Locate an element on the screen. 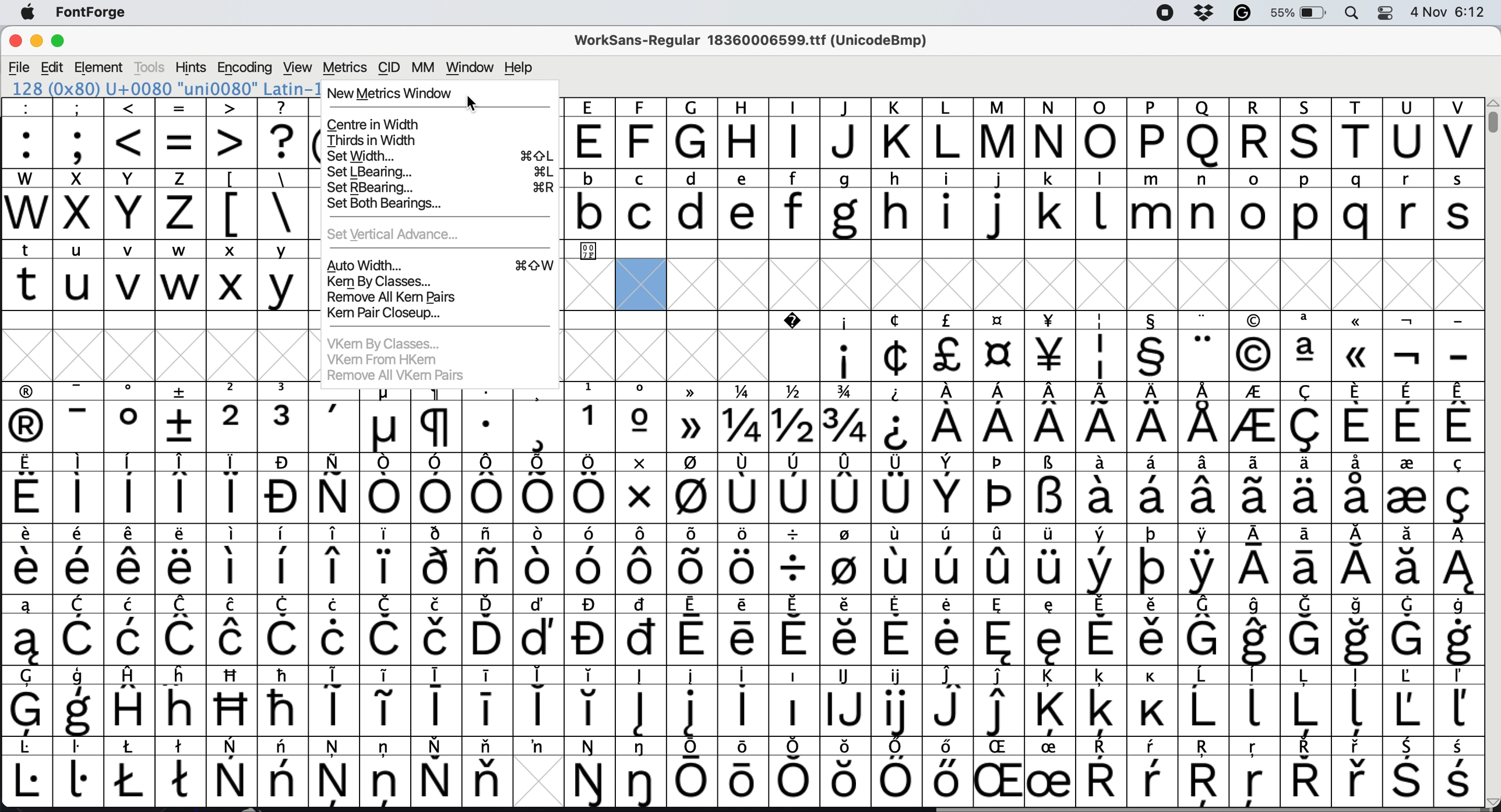  special characters is located at coordinates (263, 178).